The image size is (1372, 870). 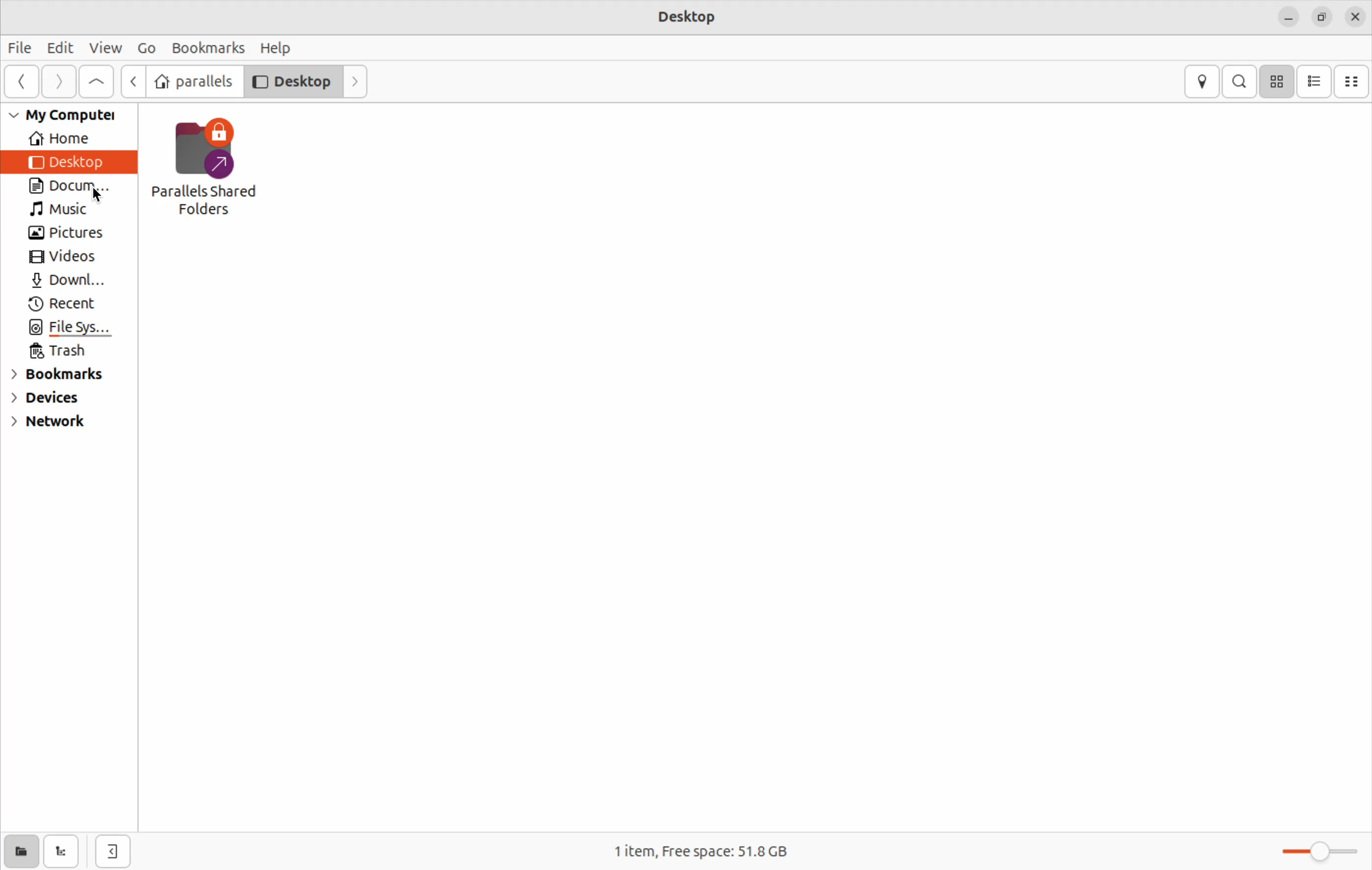 What do you see at coordinates (68, 376) in the screenshot?
I see `bookmarks` at bounding box center [68, 376].